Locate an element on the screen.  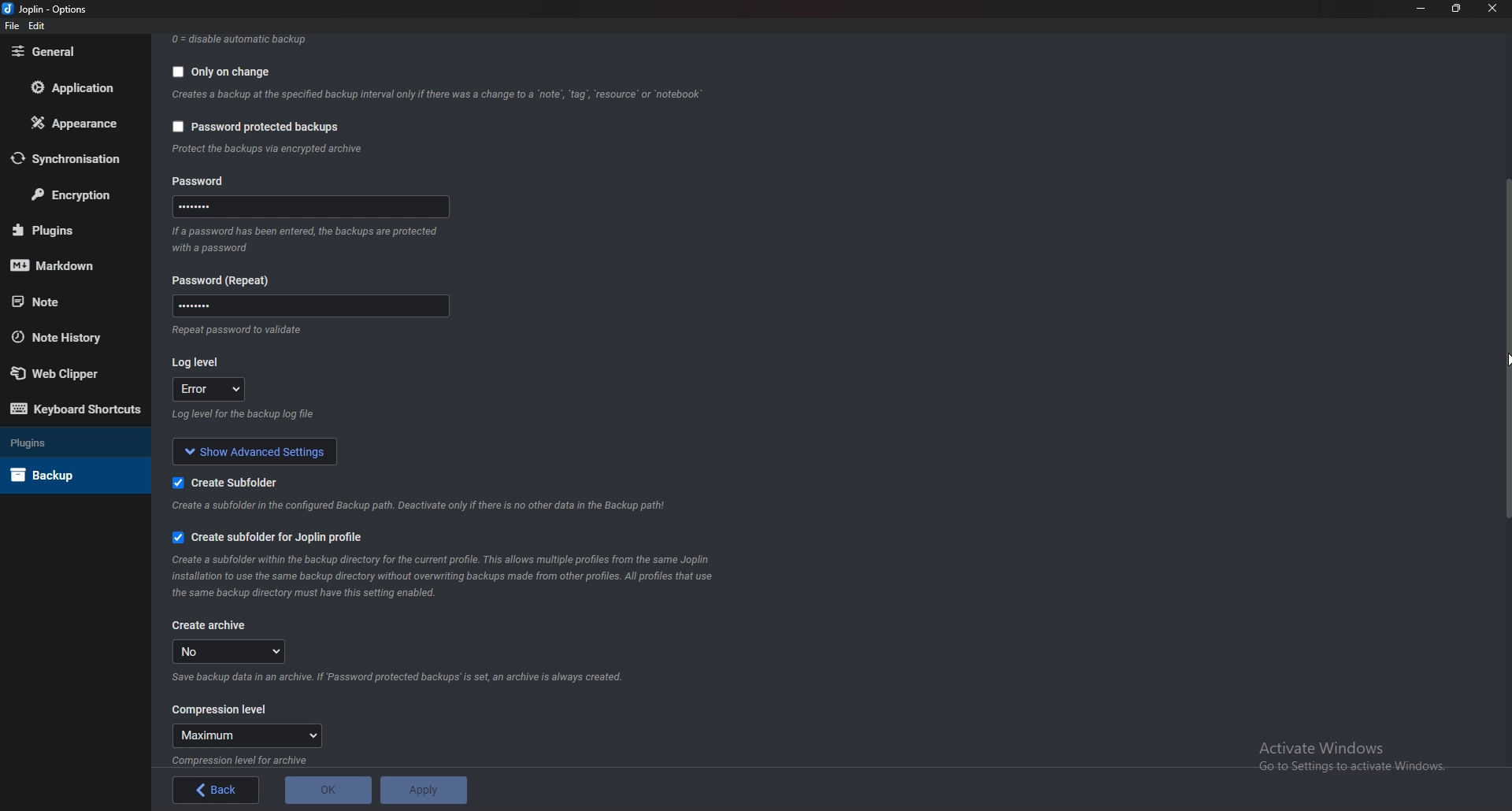
Note history is located at coordinates (67, 339).